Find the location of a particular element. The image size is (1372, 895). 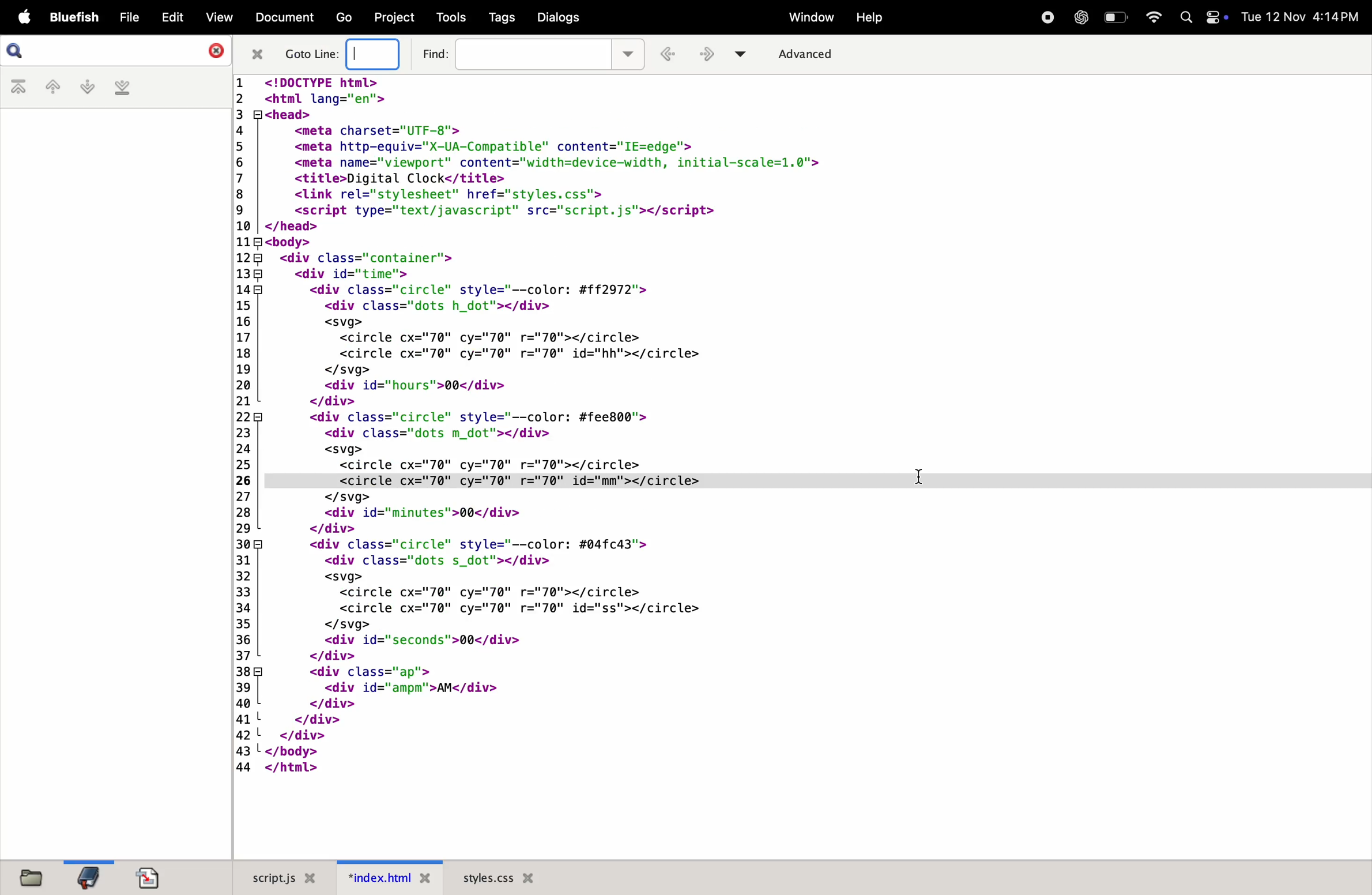

styles.css is located at coordinates (498, 875).